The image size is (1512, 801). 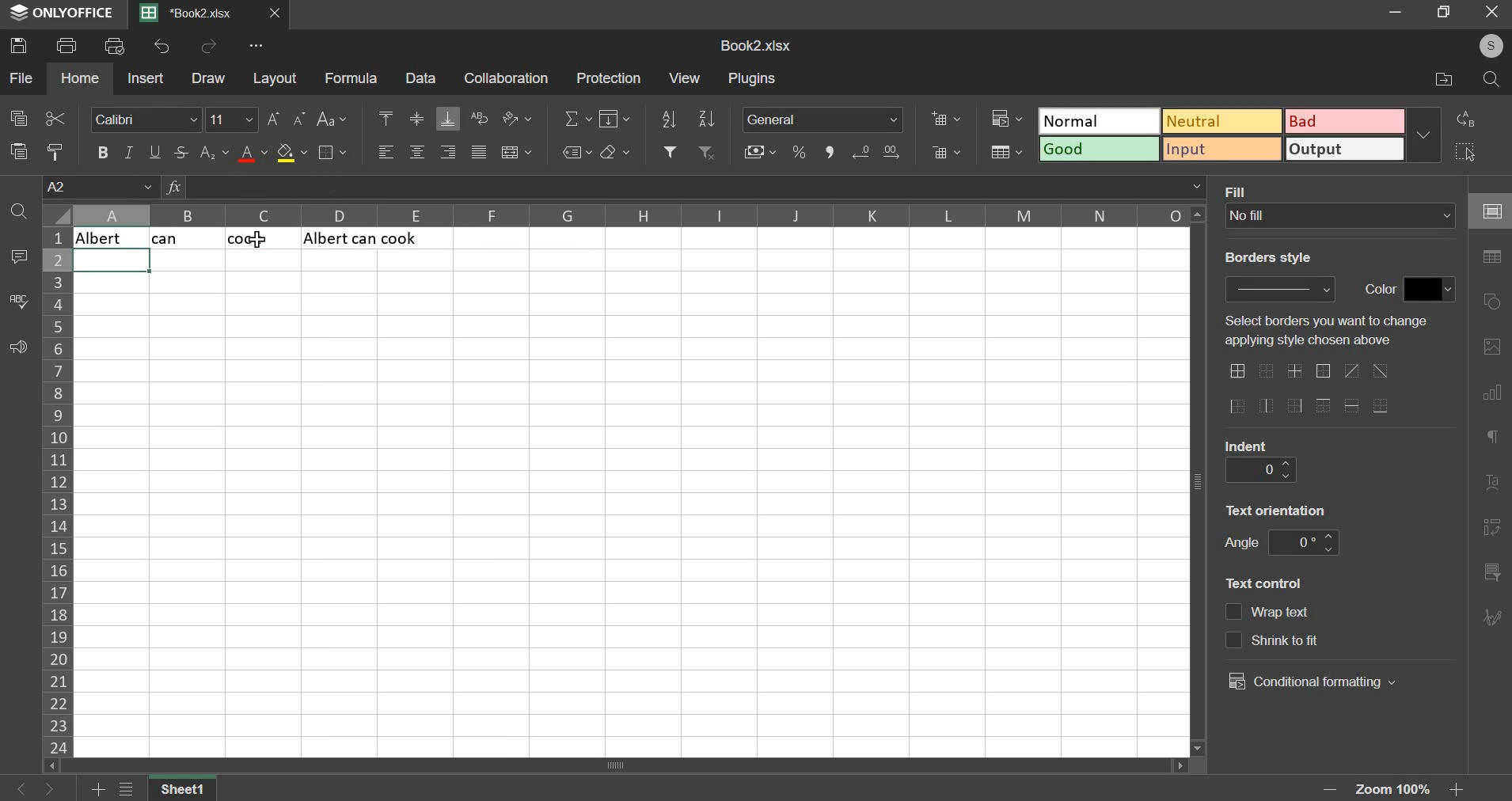 What do you see at coordinates (417, 153) in the screenshot?
I see `align center` at bounding box center [417, 153].